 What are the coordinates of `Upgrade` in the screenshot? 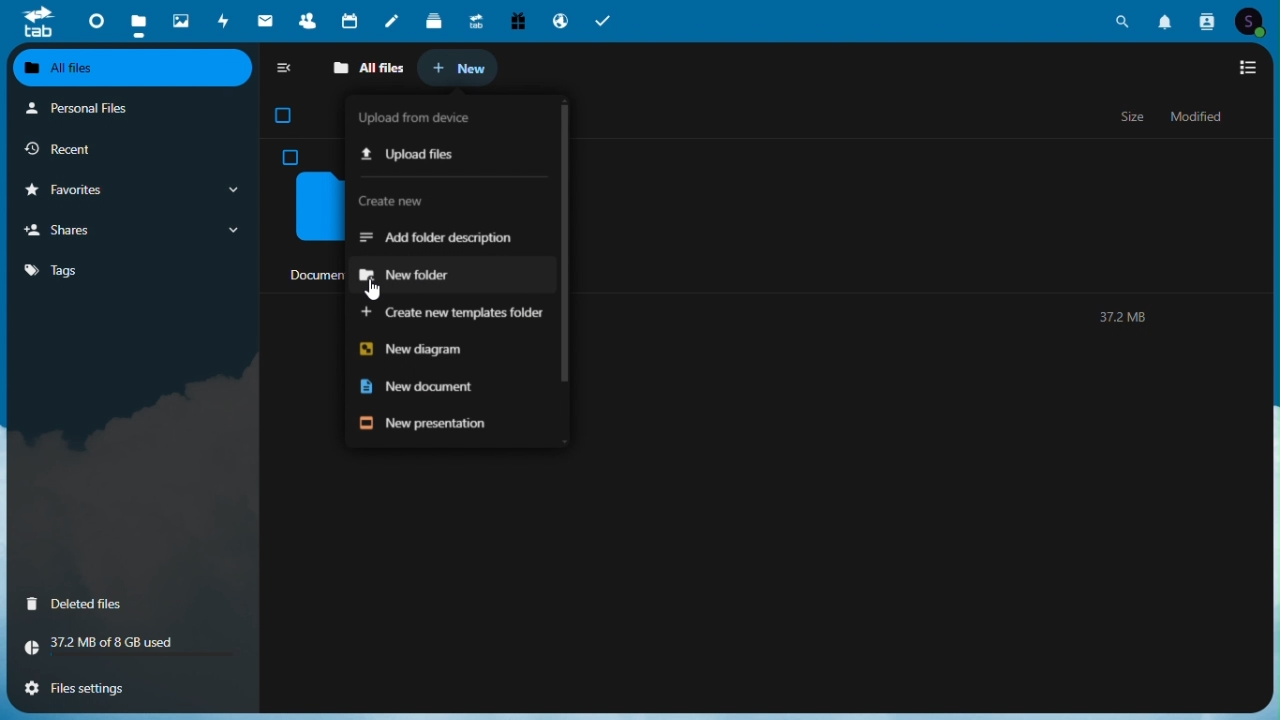 It's located at (478, 20).